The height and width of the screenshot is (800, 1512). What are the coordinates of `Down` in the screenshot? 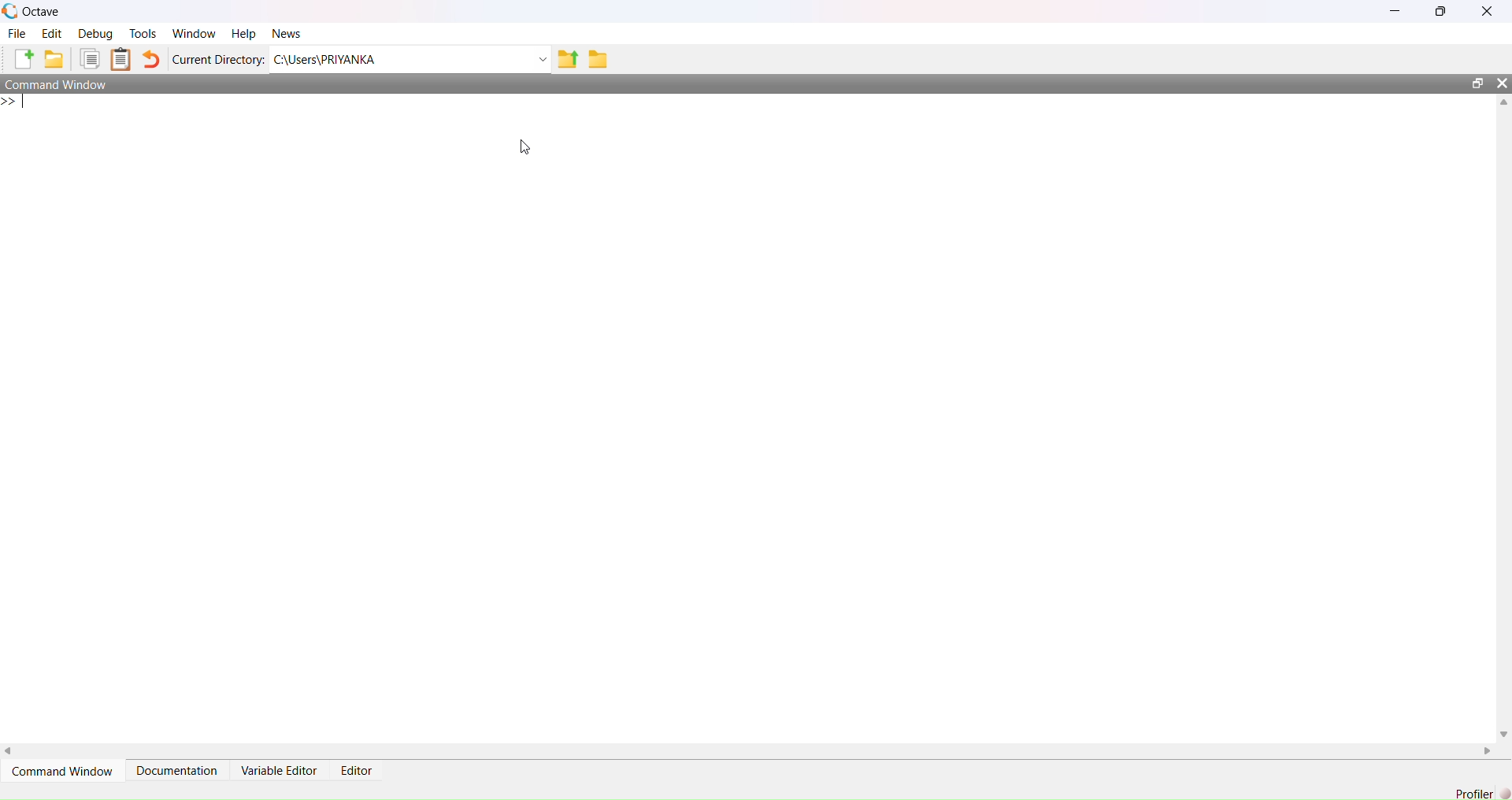 It's located at (1503, 734).